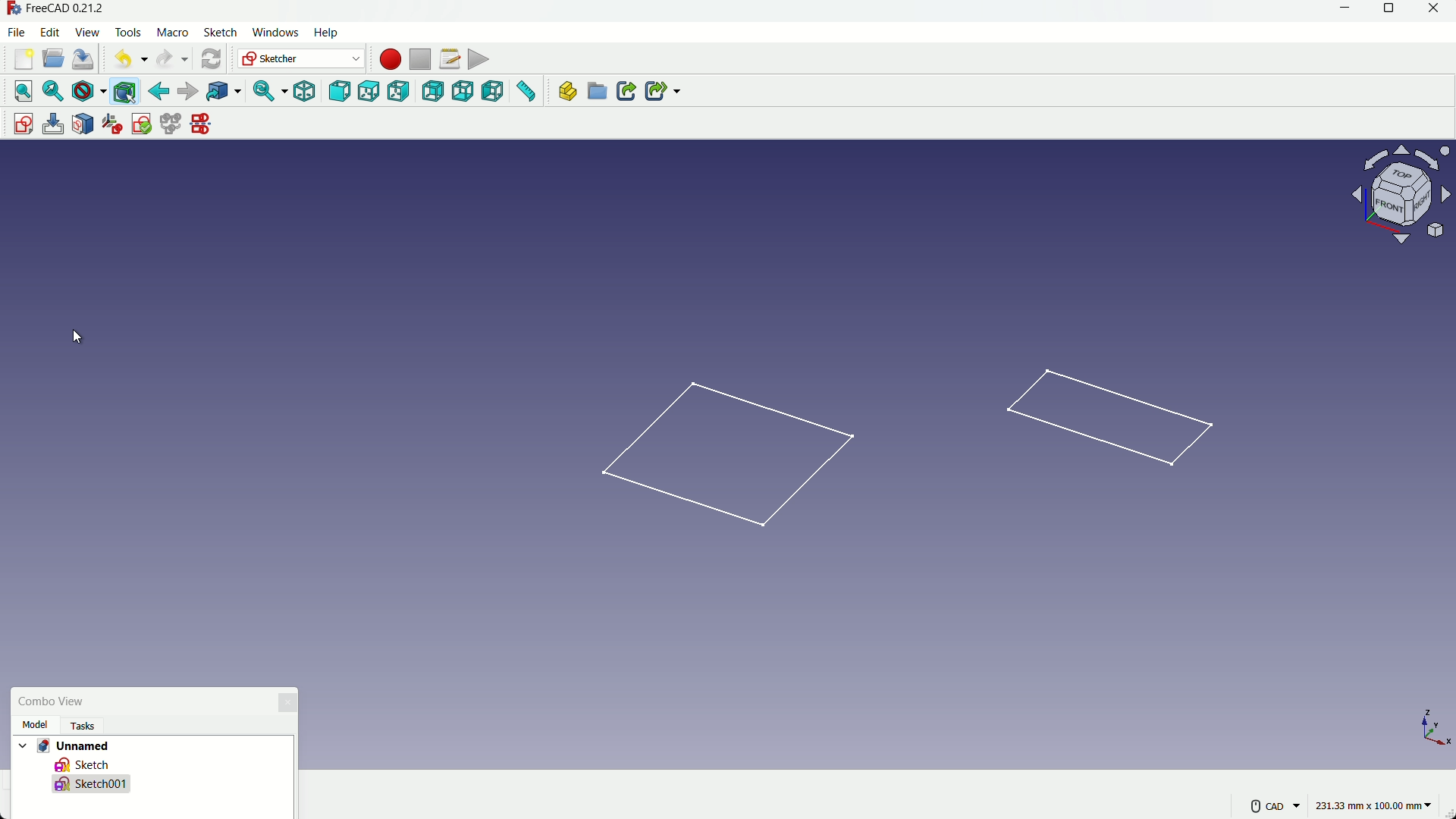 This screenshot has width=1456, height=819. What do you see at coordinates (52, 91) in the screenshot?
I see `select fit` at bounding box center [52, 91].